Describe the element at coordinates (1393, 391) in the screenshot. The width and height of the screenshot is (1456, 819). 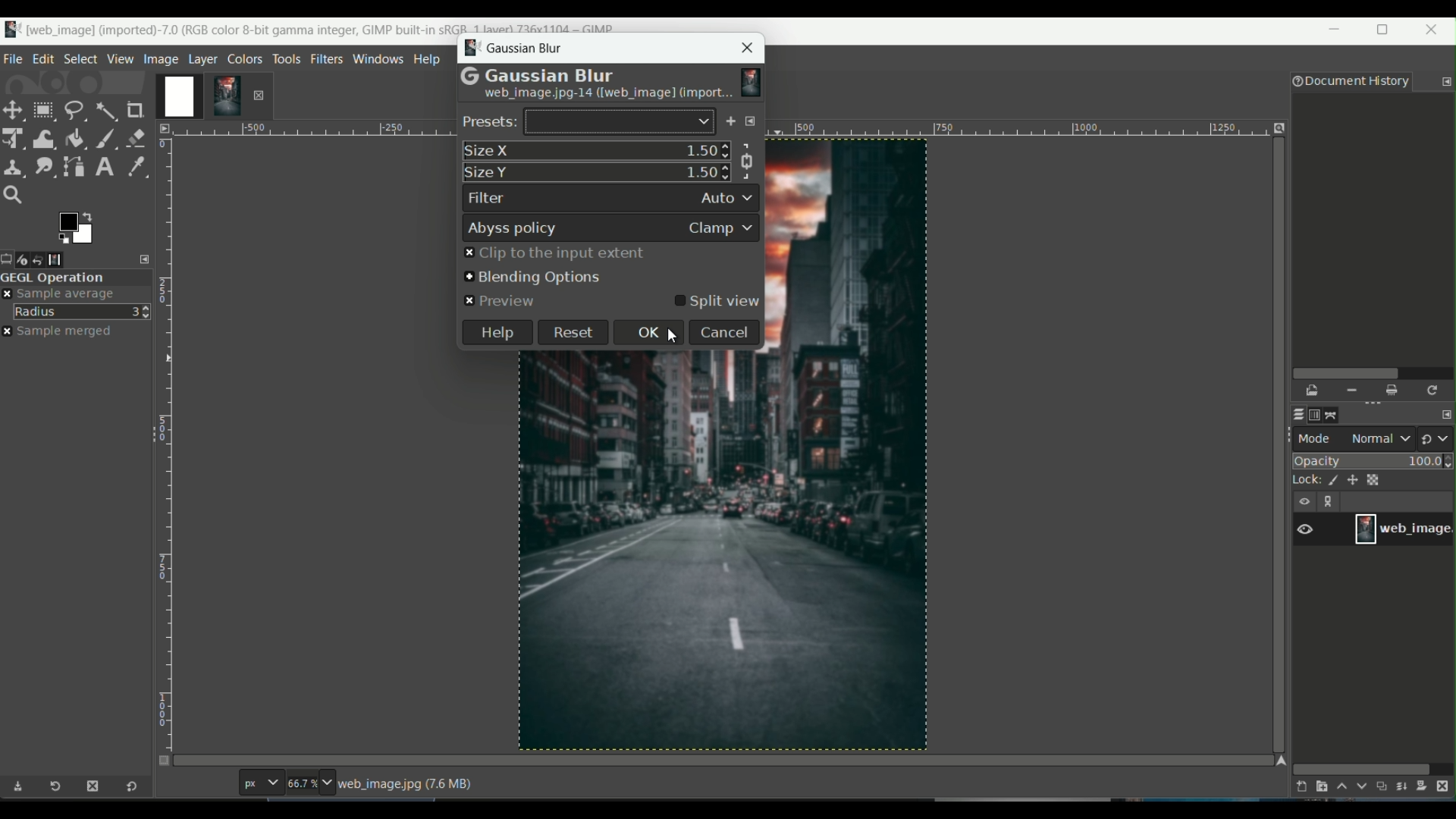
I see `clear the entire document history` at that location.